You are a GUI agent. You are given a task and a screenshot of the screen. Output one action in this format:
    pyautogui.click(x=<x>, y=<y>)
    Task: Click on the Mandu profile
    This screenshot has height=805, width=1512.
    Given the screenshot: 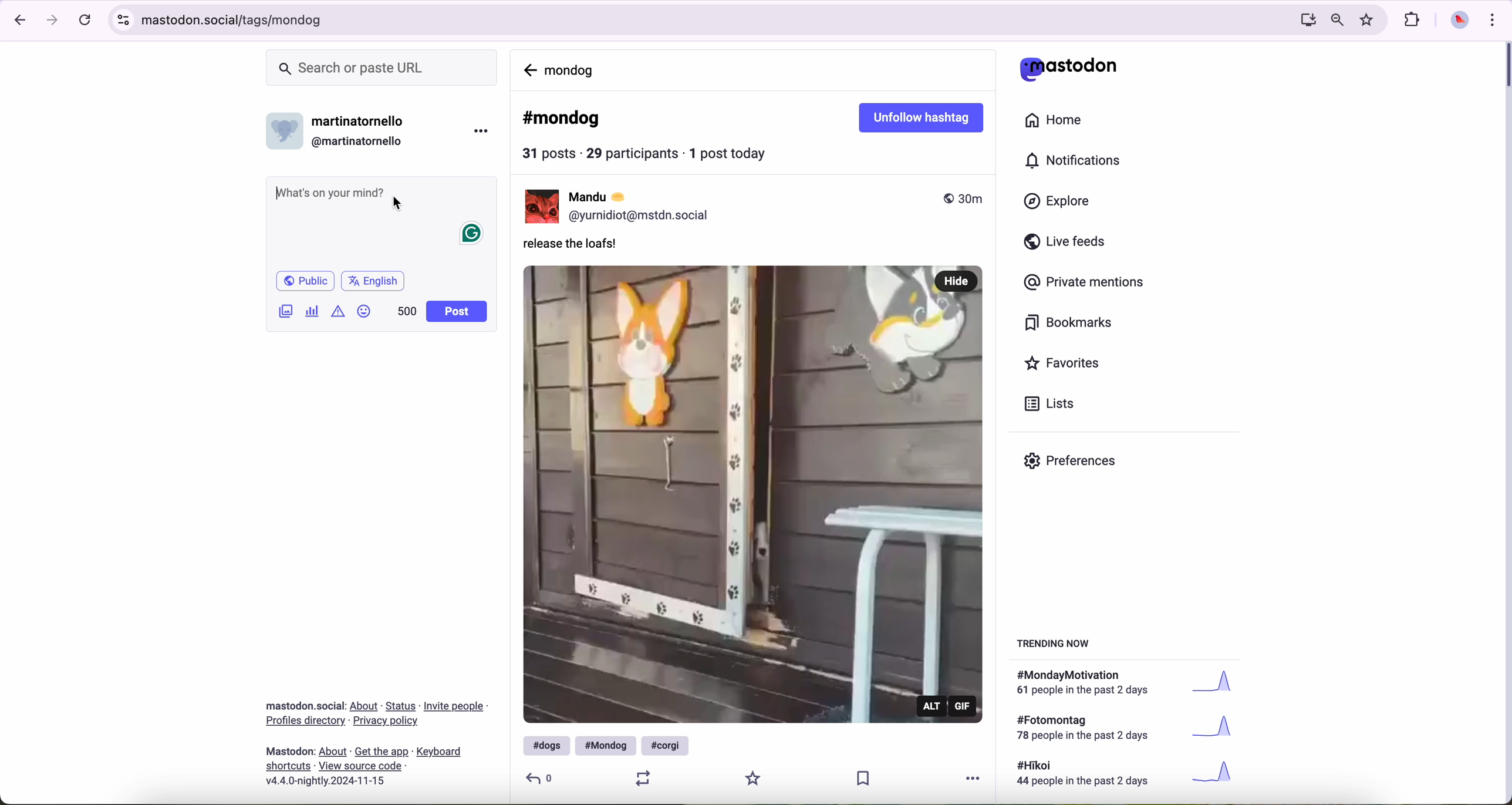 What is the action you would take?
    pyautogui.click(x=539, y=207)
    